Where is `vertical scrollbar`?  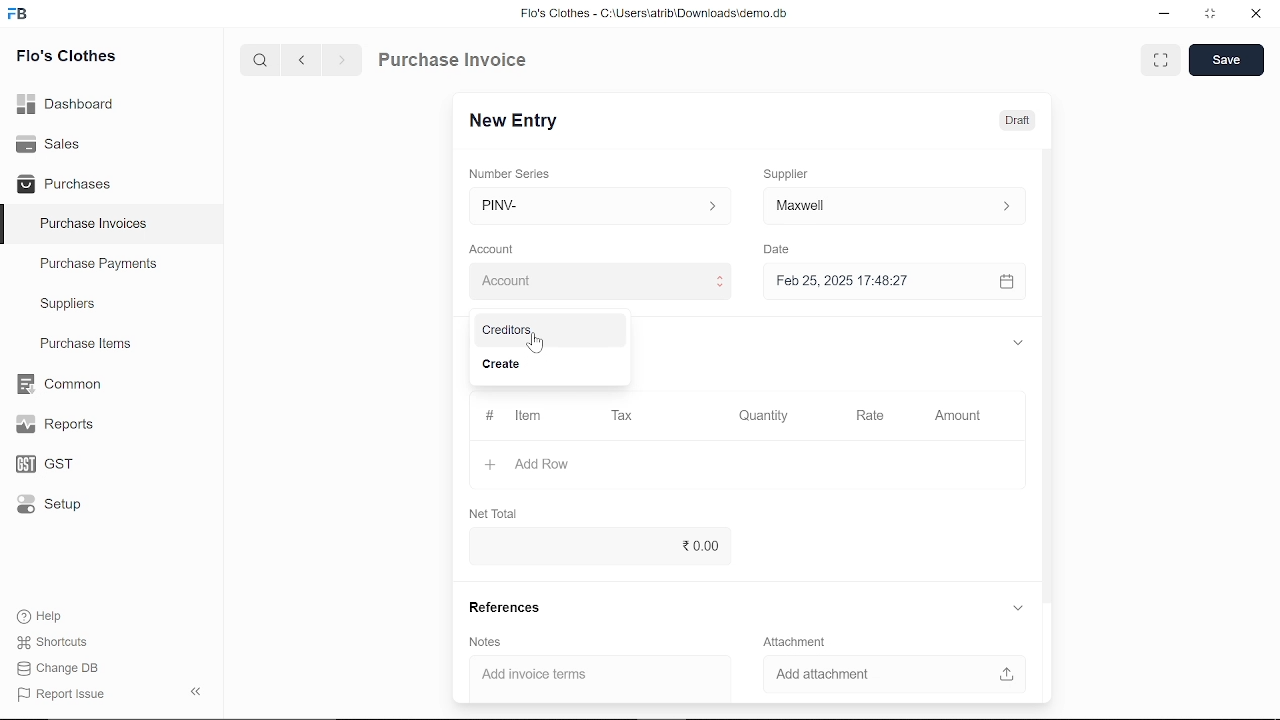 vertical scrollbar is located at coordinates (1047, 373).